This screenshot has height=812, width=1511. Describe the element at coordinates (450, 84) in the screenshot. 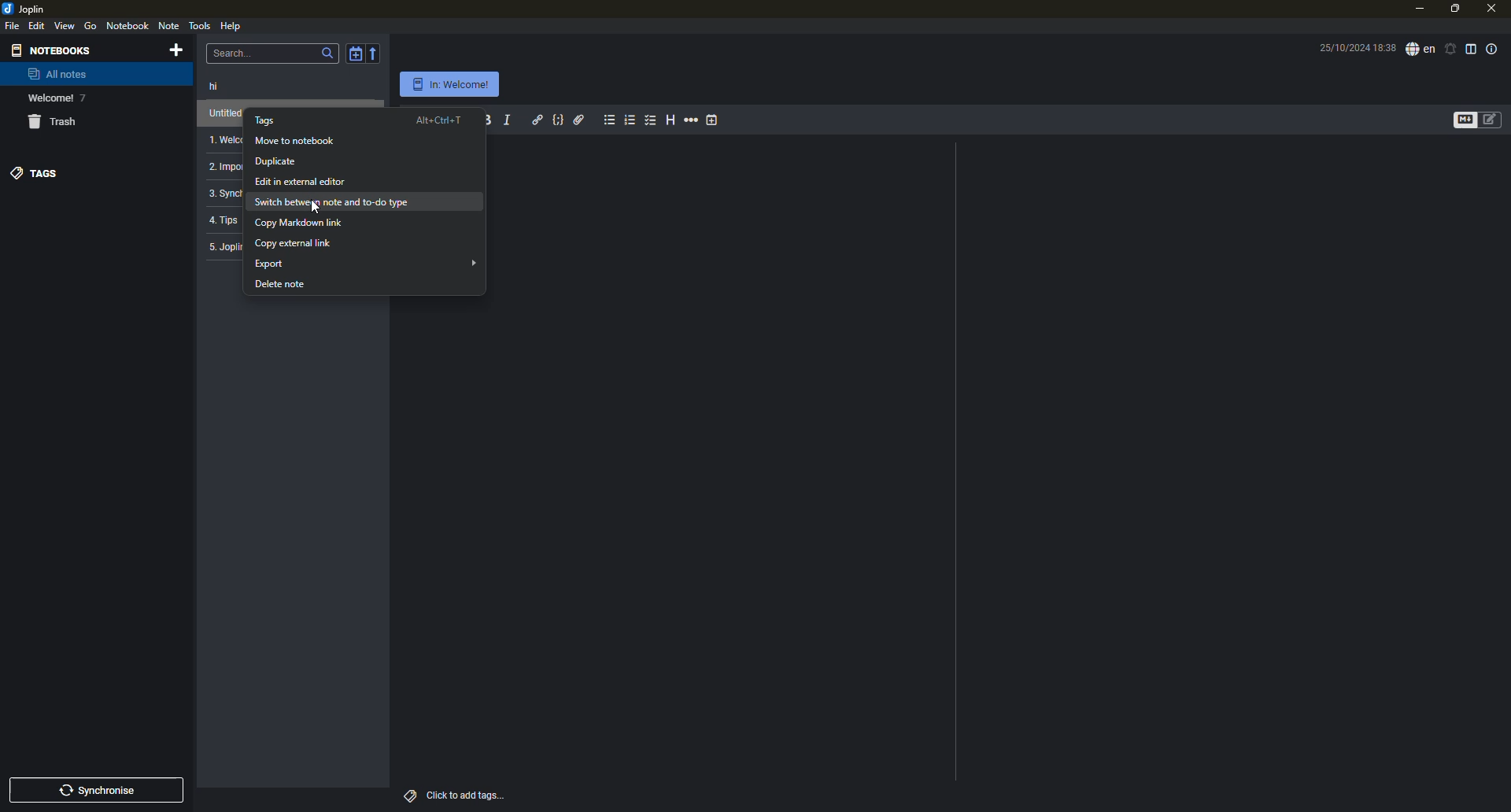

I see `In: Welcome!` at that location.